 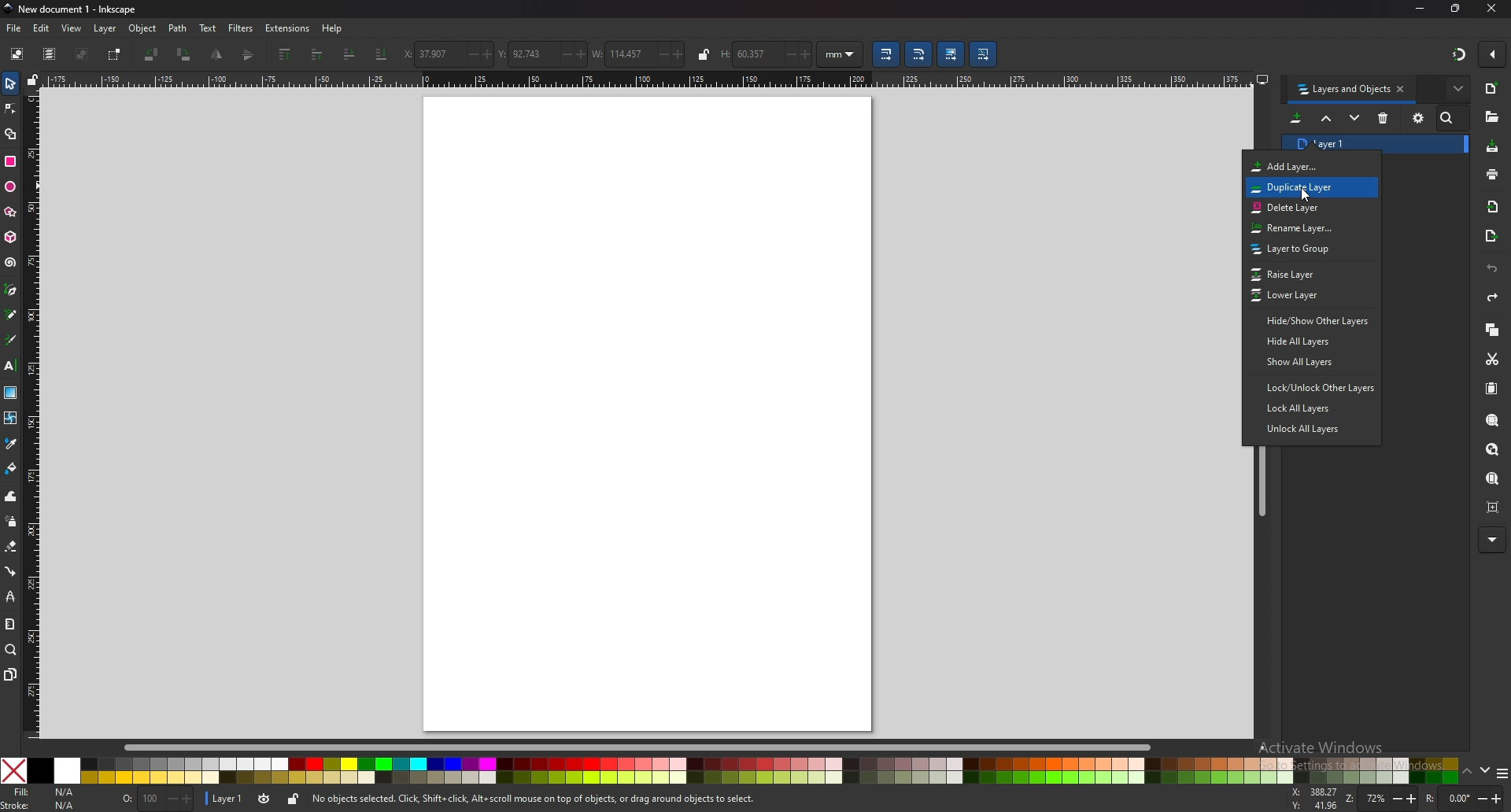 I want to click on save, so click(x=1491, y=146).